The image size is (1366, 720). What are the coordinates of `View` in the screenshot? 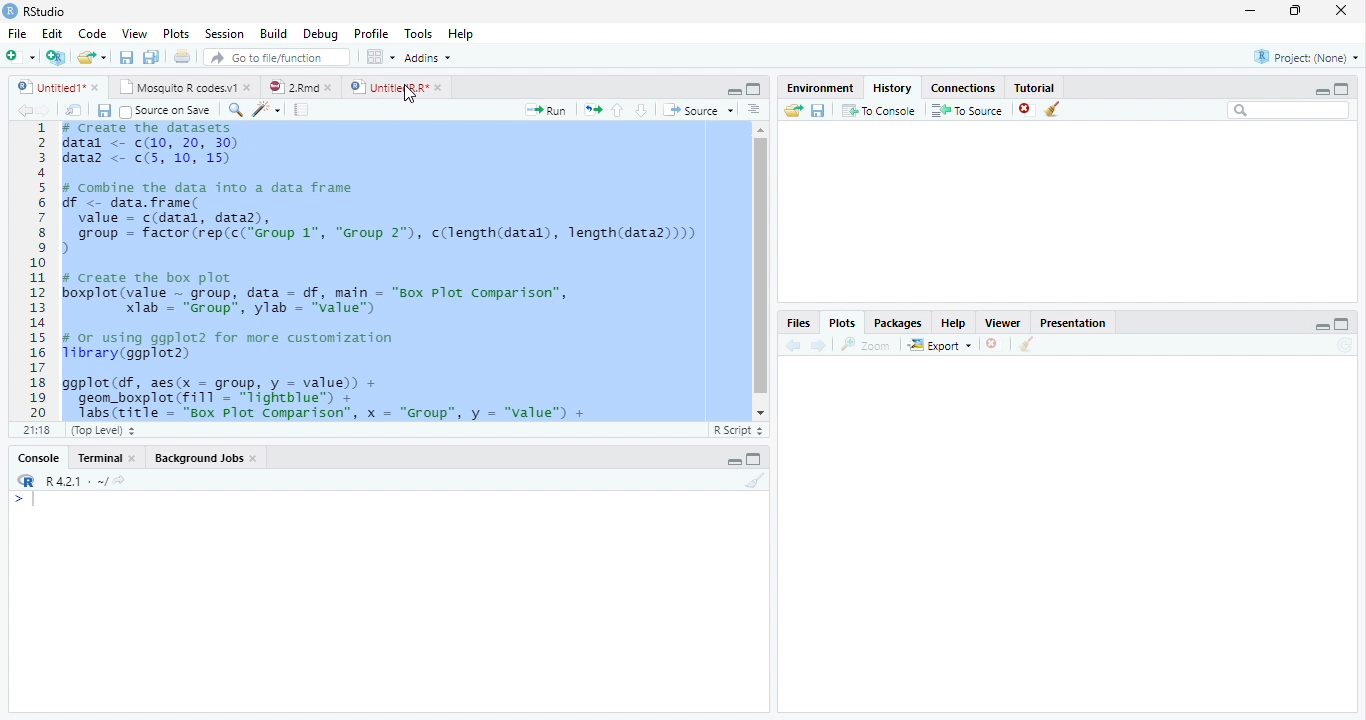 It's located at (134, 32).